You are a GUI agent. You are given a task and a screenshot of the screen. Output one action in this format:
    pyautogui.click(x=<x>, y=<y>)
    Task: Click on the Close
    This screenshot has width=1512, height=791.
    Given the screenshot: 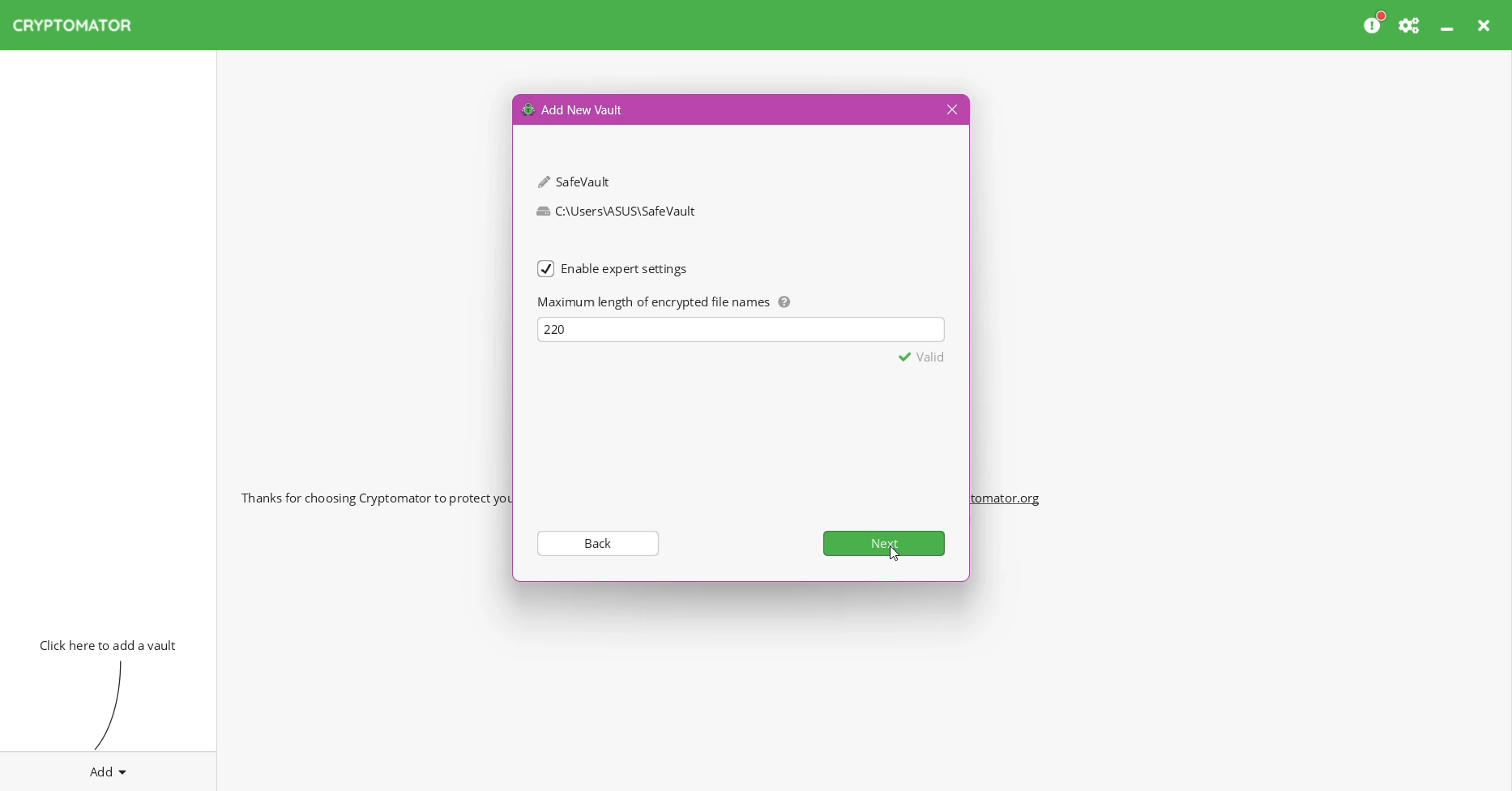 What is the action you would take?
    pyautogui.click(x=1486, y=25)
    